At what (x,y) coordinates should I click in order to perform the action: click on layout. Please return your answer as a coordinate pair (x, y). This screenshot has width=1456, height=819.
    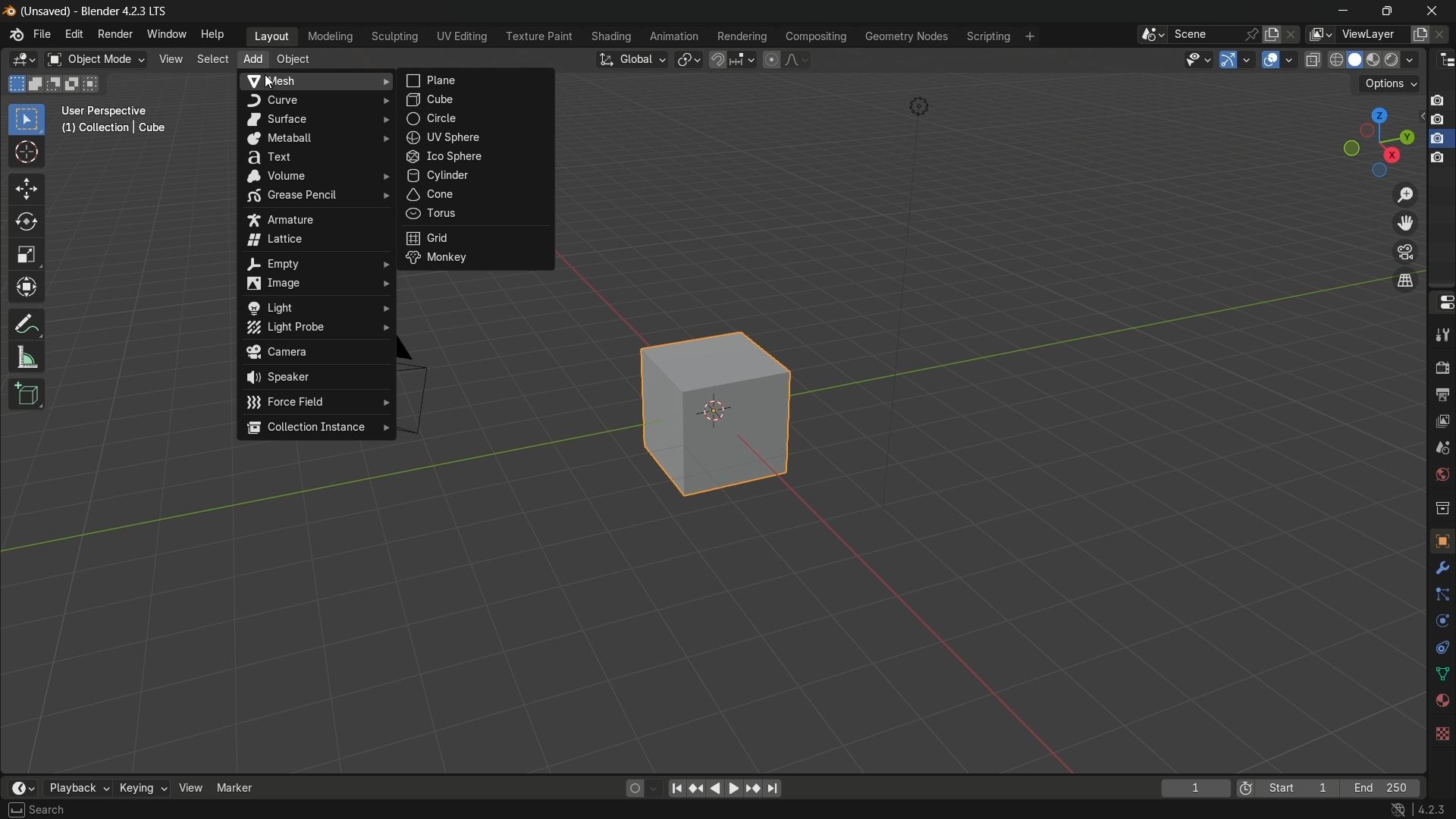
    Looking at the image, I should click on (272, 36).